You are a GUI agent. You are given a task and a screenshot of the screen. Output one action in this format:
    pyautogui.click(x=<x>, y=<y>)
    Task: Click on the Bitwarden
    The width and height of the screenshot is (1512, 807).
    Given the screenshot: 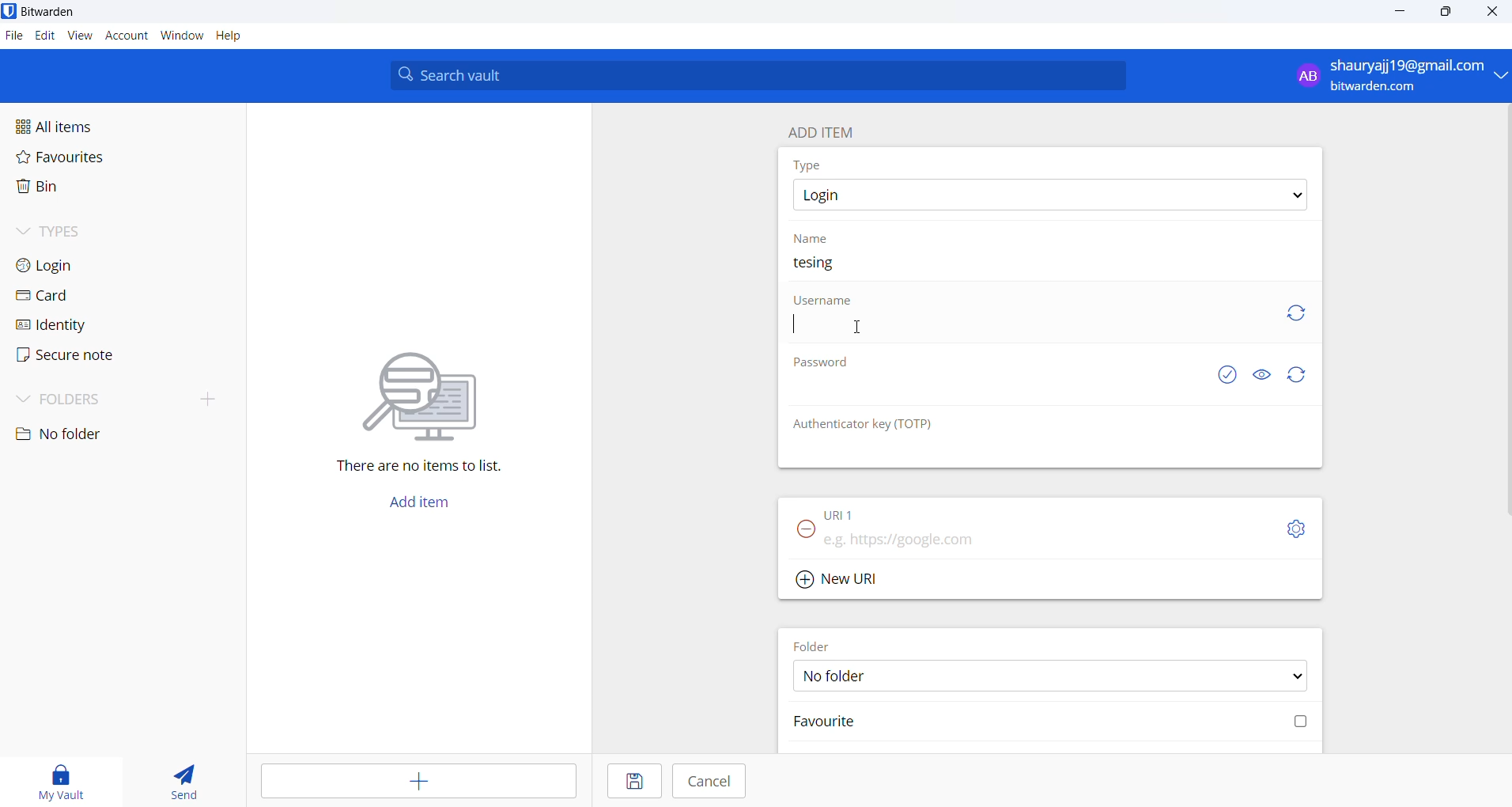 What is the action you would take?
    pyautogui.click(x=54, y=12)
    